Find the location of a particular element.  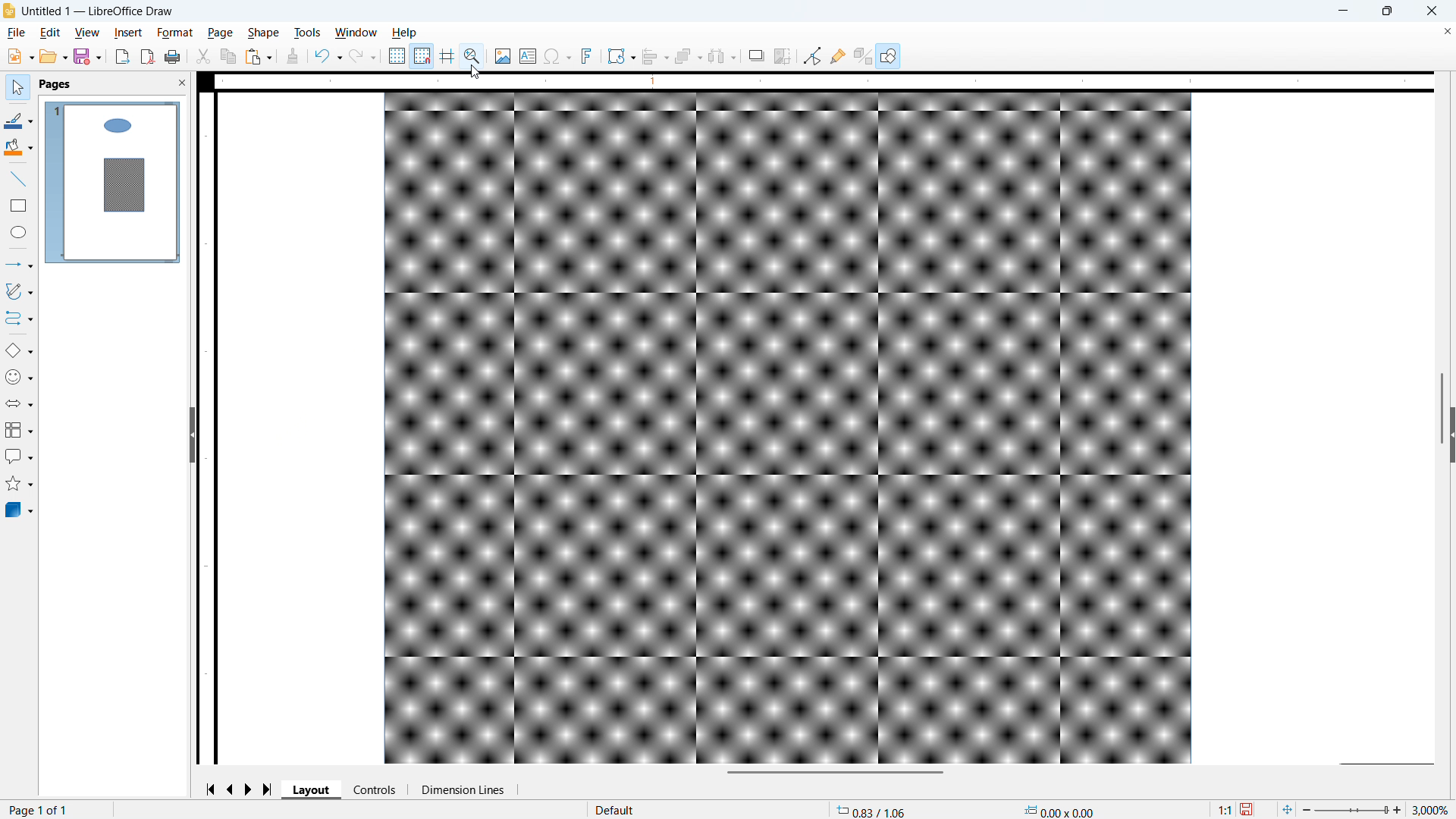

Rectangle  is located at coordinates (19, 206).